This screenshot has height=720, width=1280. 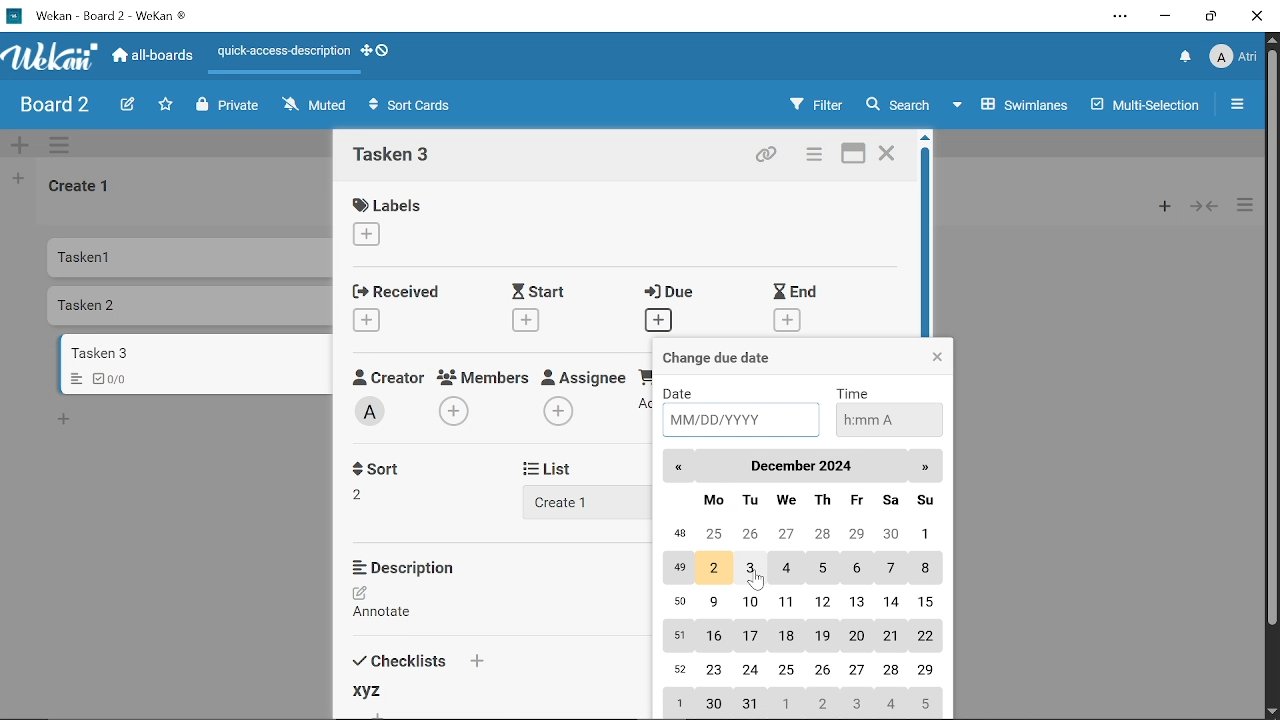 I want to click on Muted, so click(x=313, y=106).